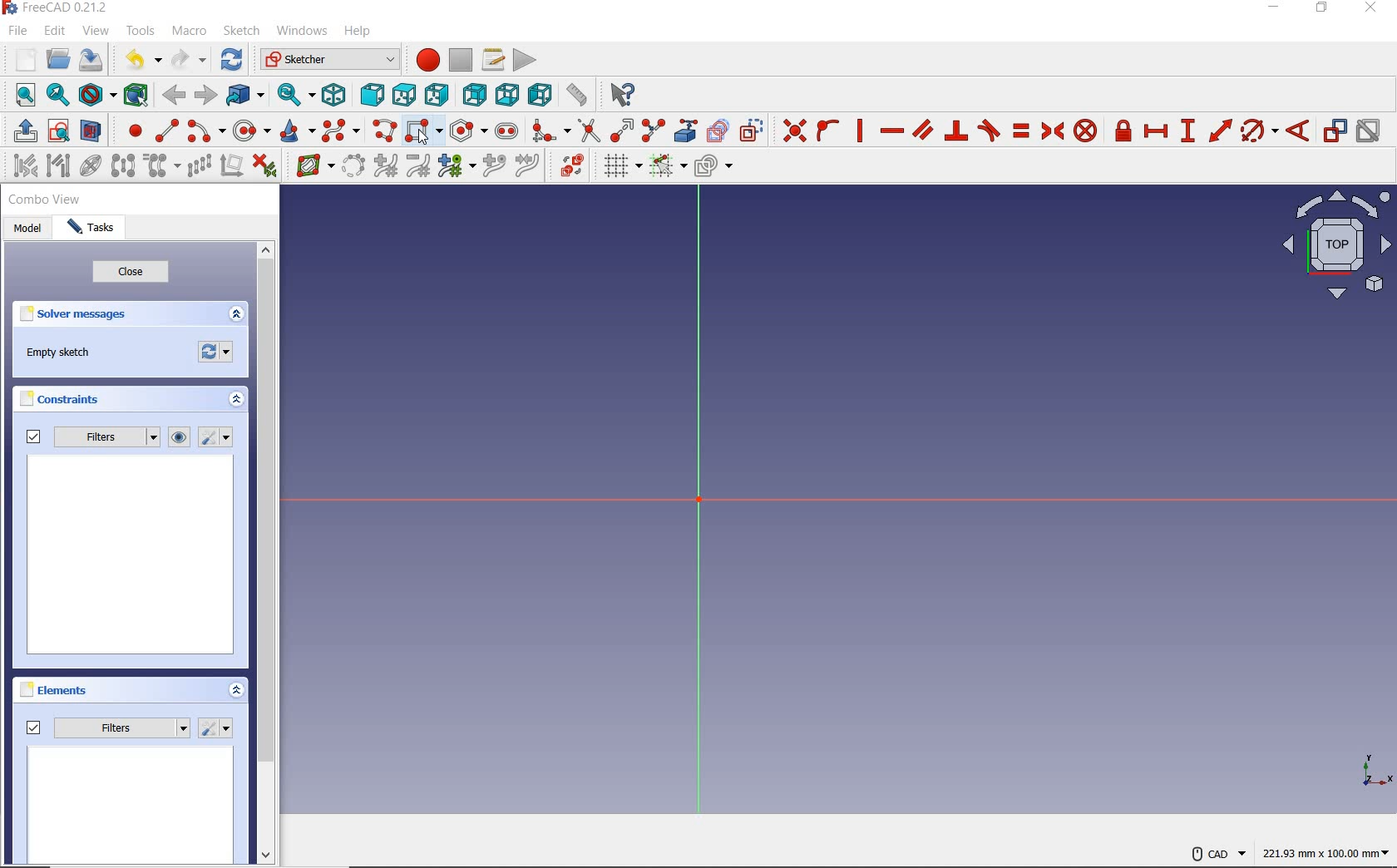 The width and height of the screenshot is (1397, 868). Describe the element at coordinates (55, 32) in the screenshot. I see `edit` at that location.